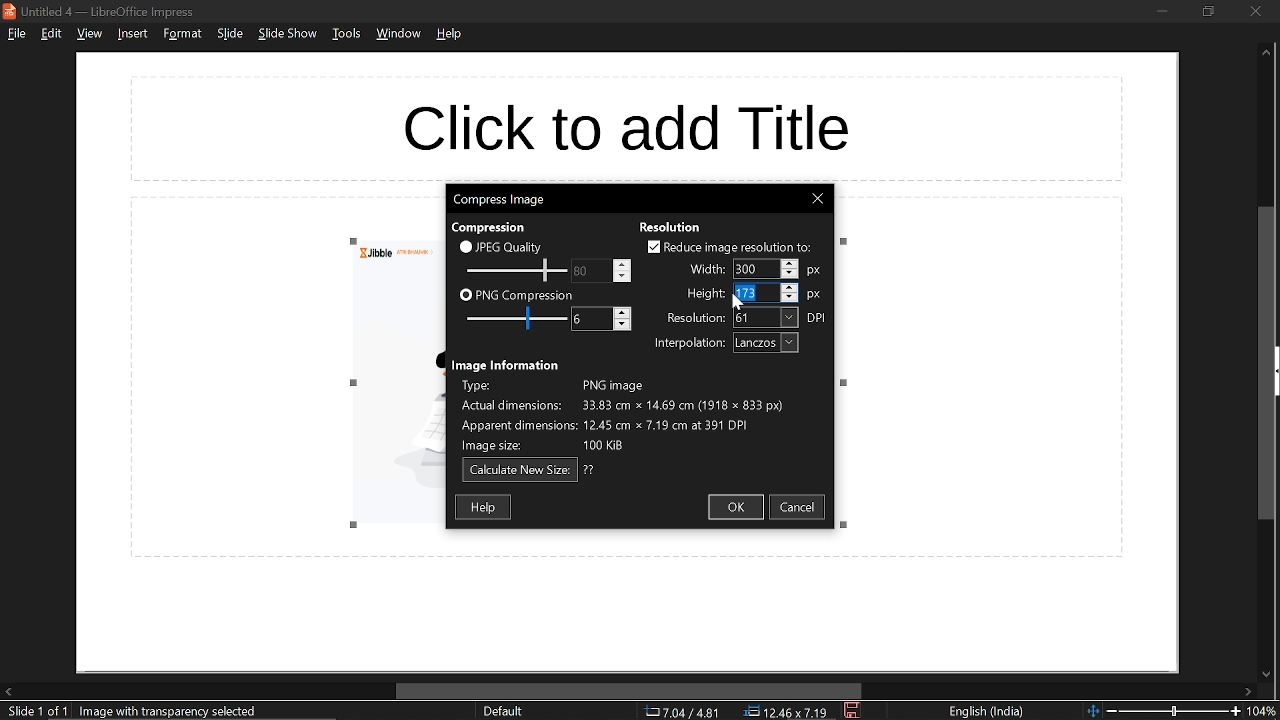  What do you see at coordinates (526, 294) in the screenshot?
I see `PNG compression` at bounding box center [526, 294].